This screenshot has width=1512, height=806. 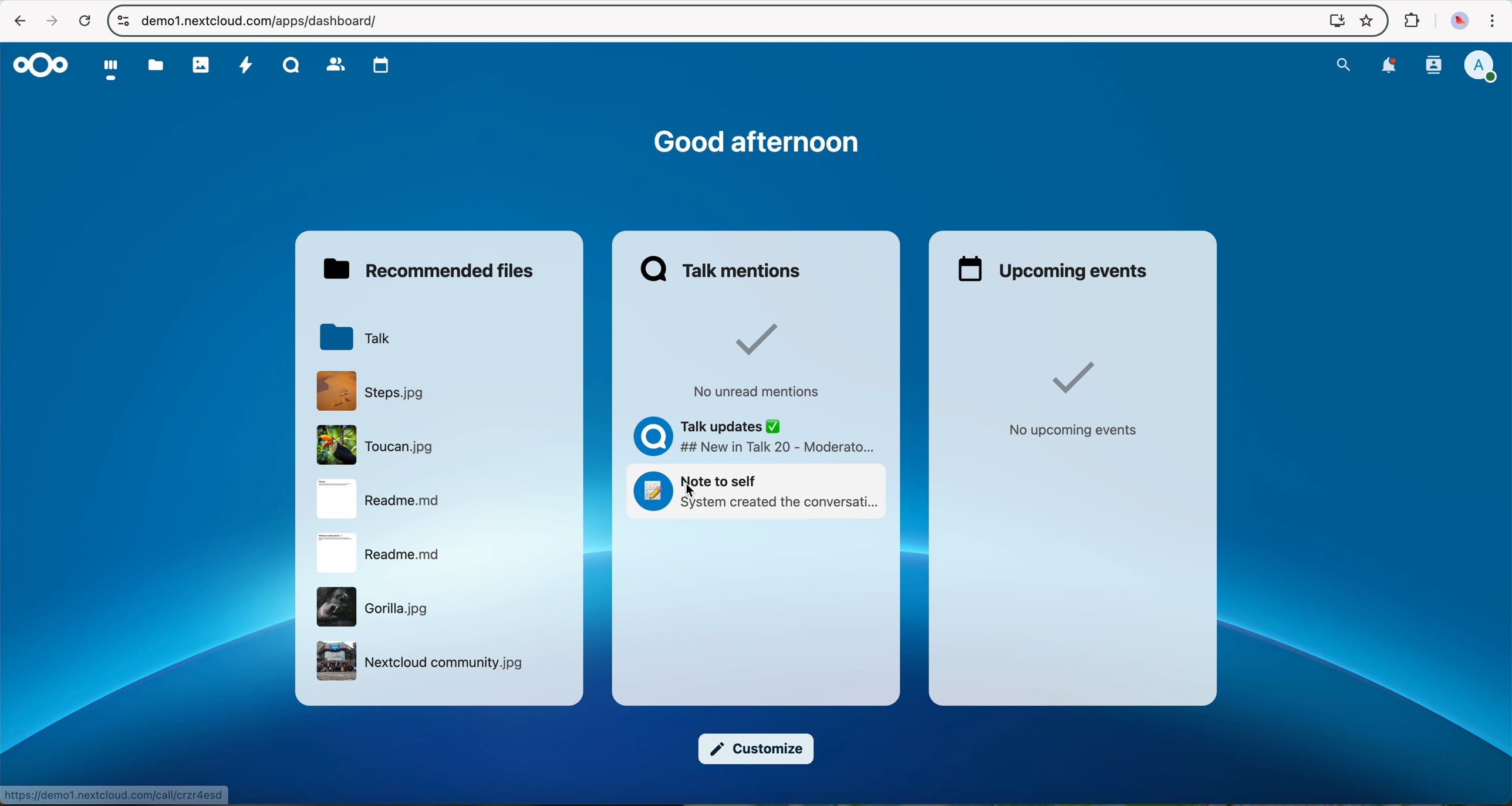 I want to click on no unread mentions, so click(x=760, y=360).